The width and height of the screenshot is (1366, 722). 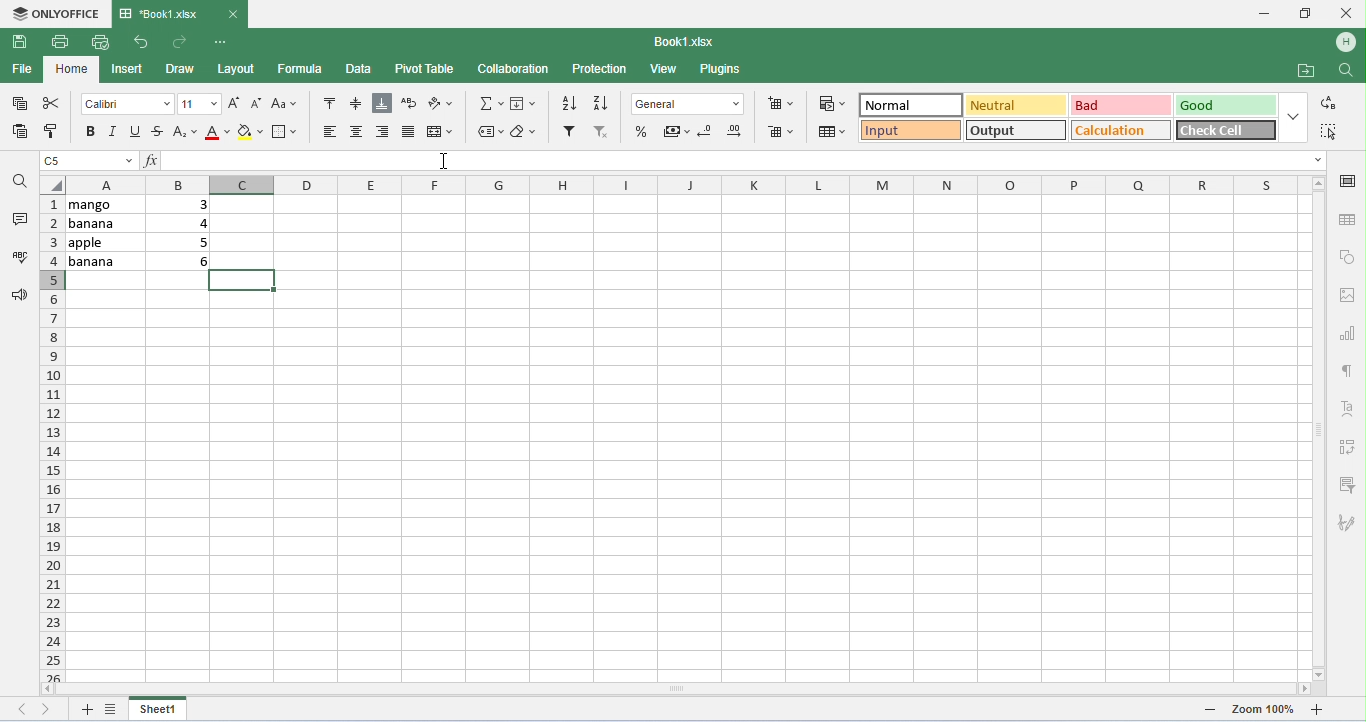 What do you see at coordinates (1223, 106) in the screenshot?
I see `good` at bounding box center [1223, 106].